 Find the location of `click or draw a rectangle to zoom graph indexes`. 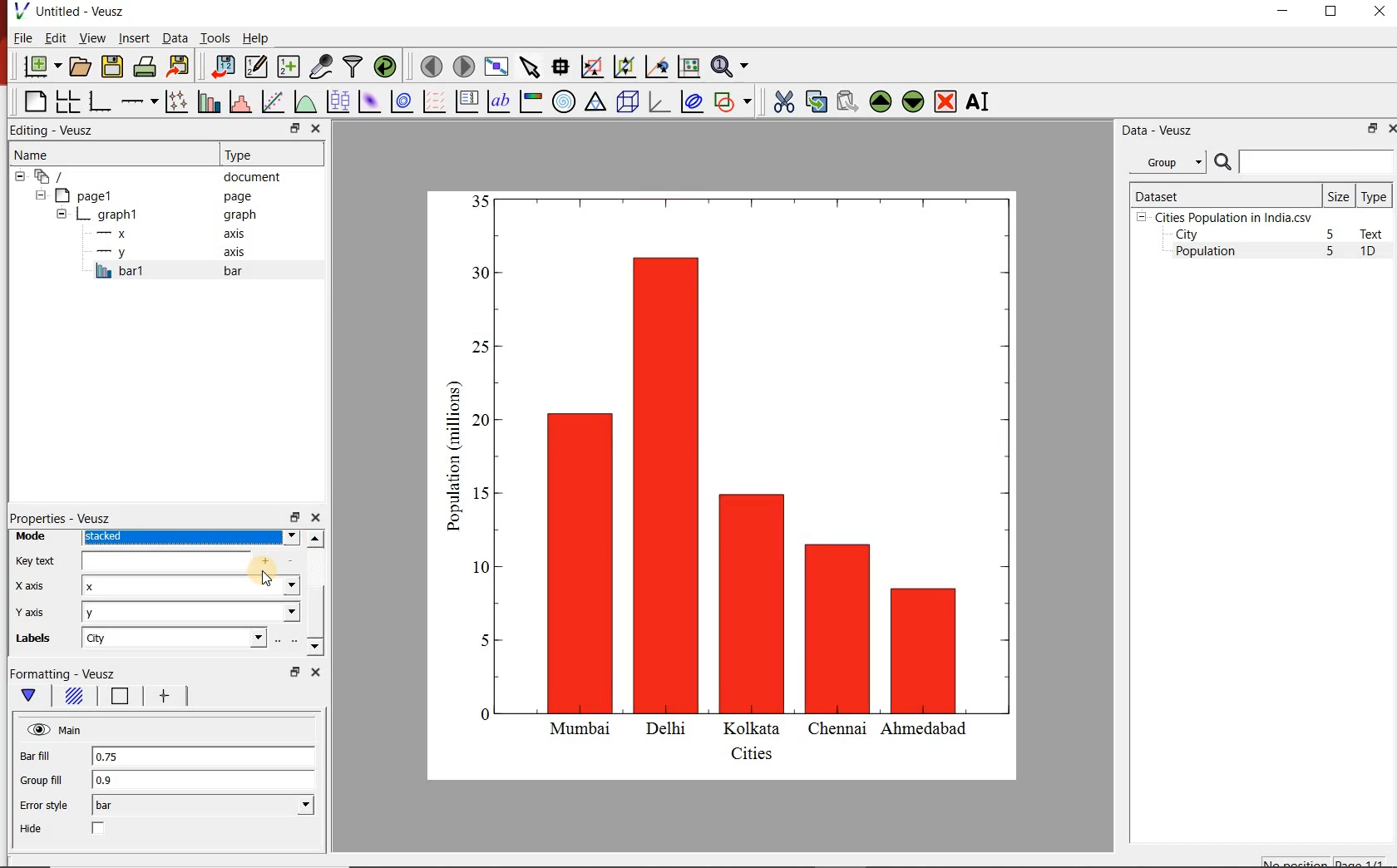

click or draw a rectangle to zoom graph indexes is located at coordinates (590, 66).